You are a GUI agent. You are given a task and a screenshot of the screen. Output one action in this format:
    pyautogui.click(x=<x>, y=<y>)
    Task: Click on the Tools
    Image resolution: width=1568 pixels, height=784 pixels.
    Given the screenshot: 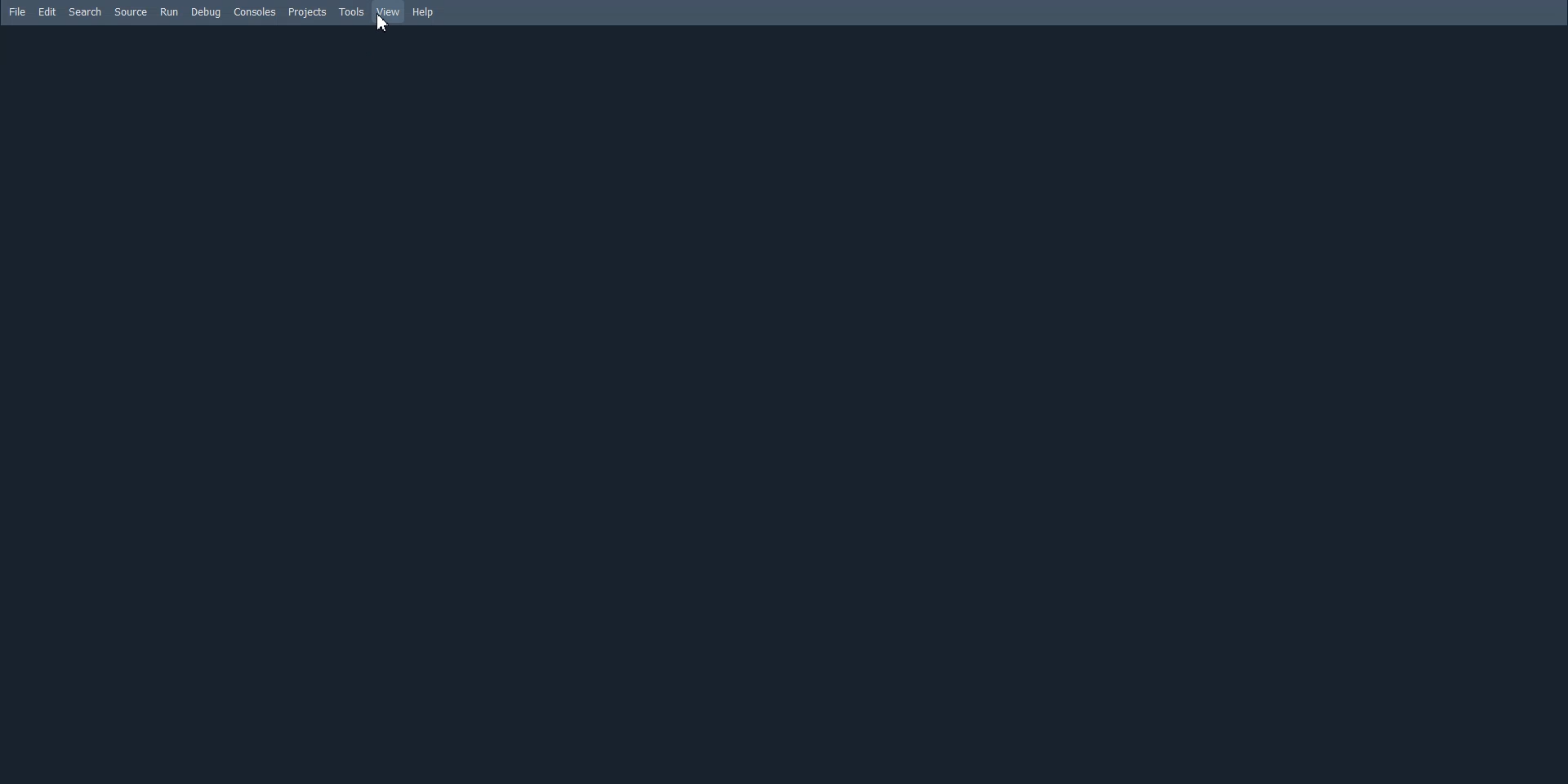 What is the action you would take?
    pyautogui.click(x=353, y=12)
    